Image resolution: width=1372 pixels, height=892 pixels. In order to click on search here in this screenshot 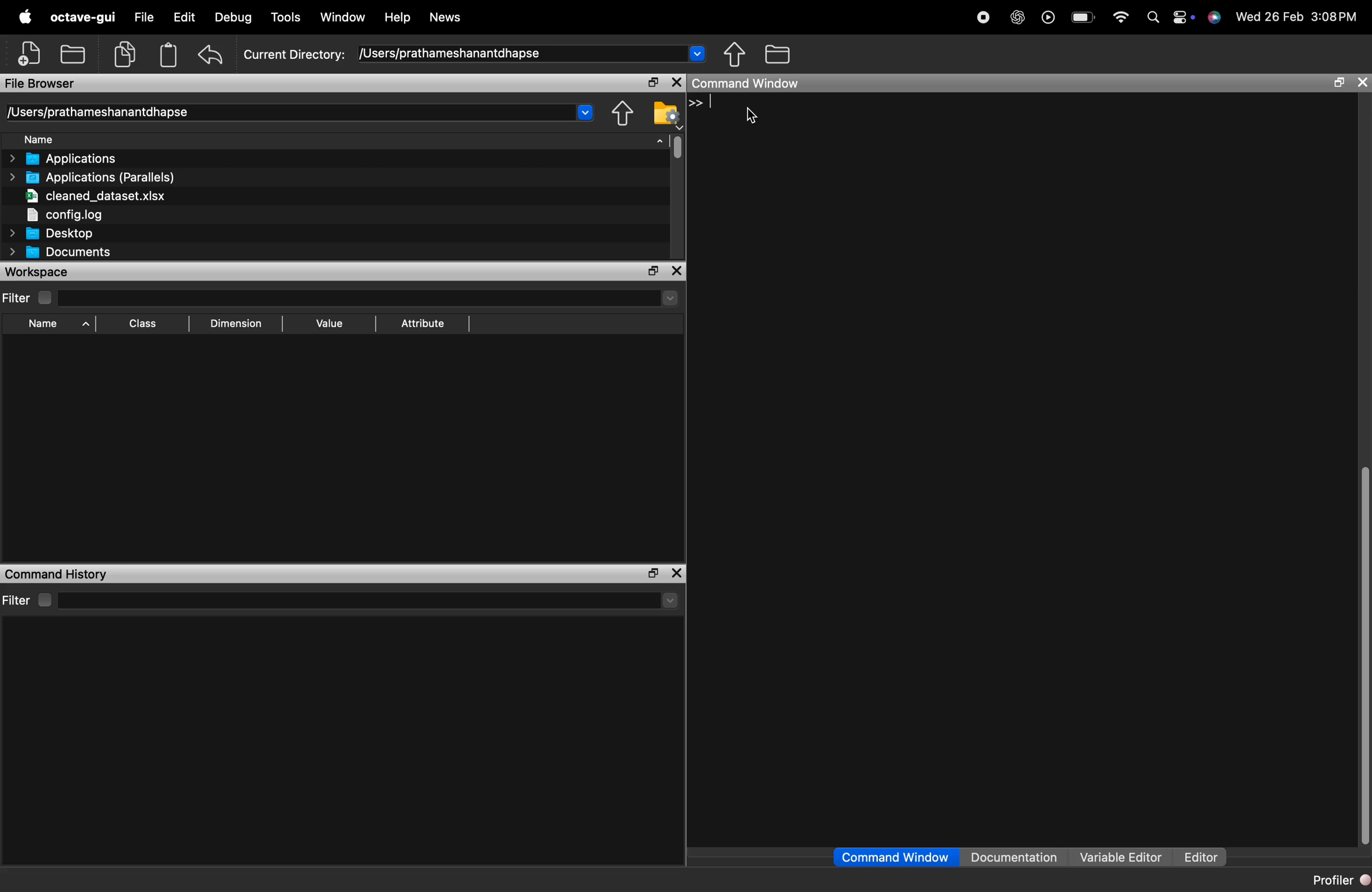, I will do `click(368, 601)`.